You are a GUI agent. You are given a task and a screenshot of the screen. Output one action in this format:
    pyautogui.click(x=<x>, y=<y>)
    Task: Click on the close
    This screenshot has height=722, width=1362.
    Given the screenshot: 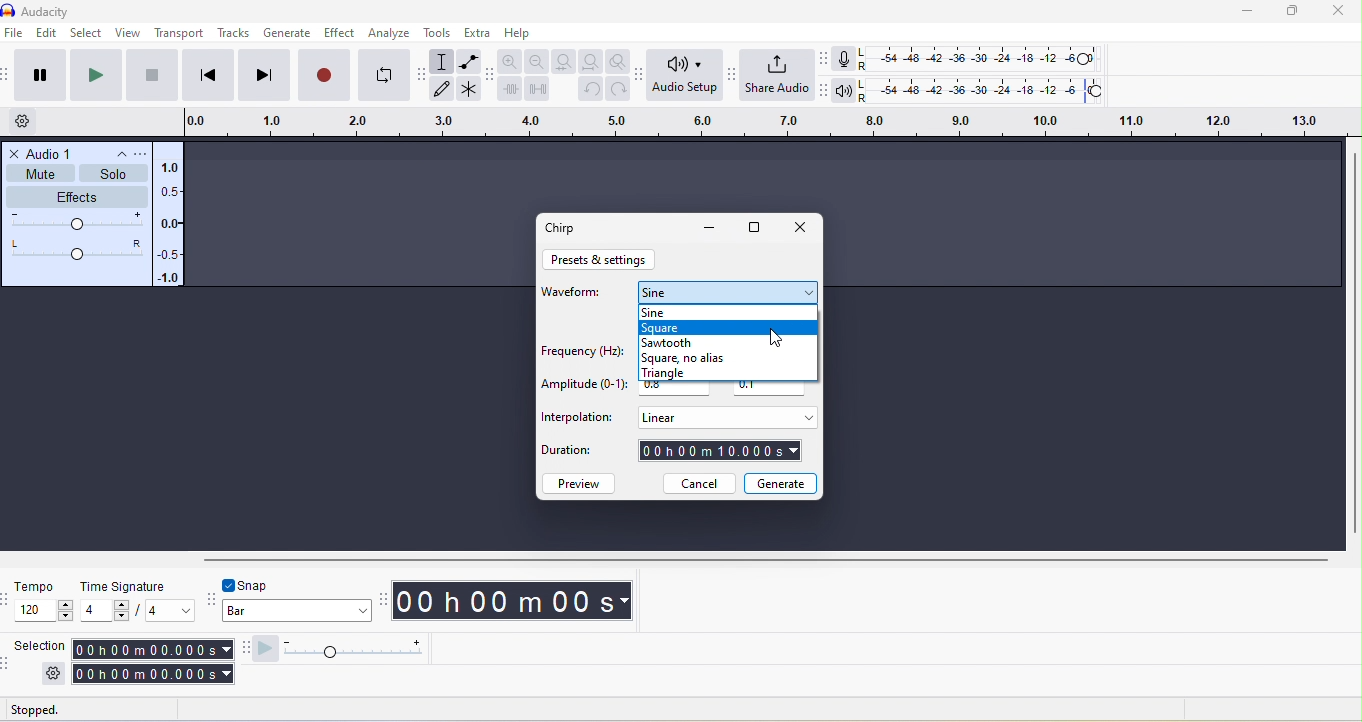 What is the action you would take?
    pyautogui.click(x=15, y=153)
    